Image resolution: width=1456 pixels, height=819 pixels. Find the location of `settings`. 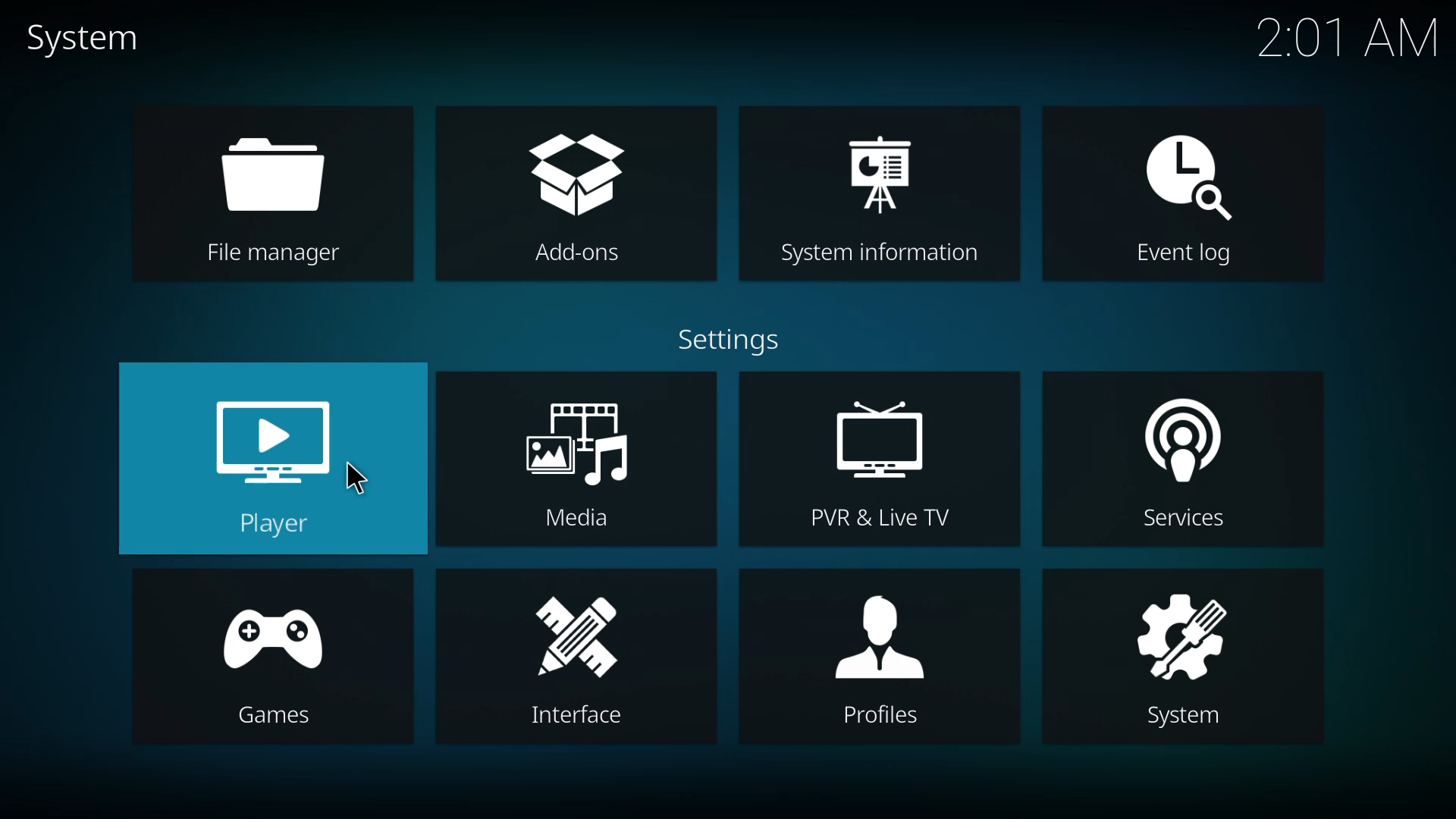

settings is located at coordinates (730, 341).